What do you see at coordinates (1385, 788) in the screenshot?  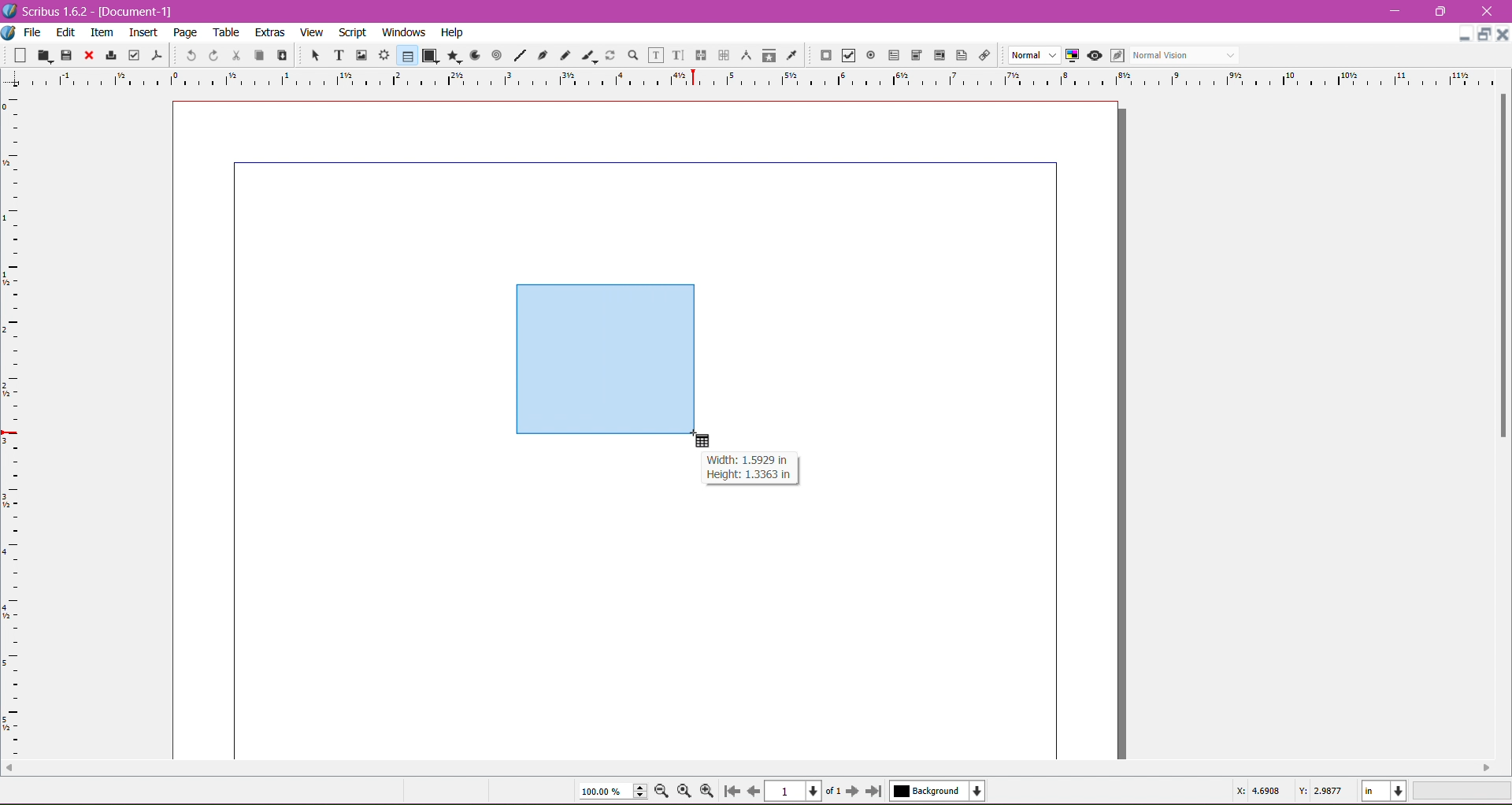 I see `in / Unit` at bounding box center [1385, 788].